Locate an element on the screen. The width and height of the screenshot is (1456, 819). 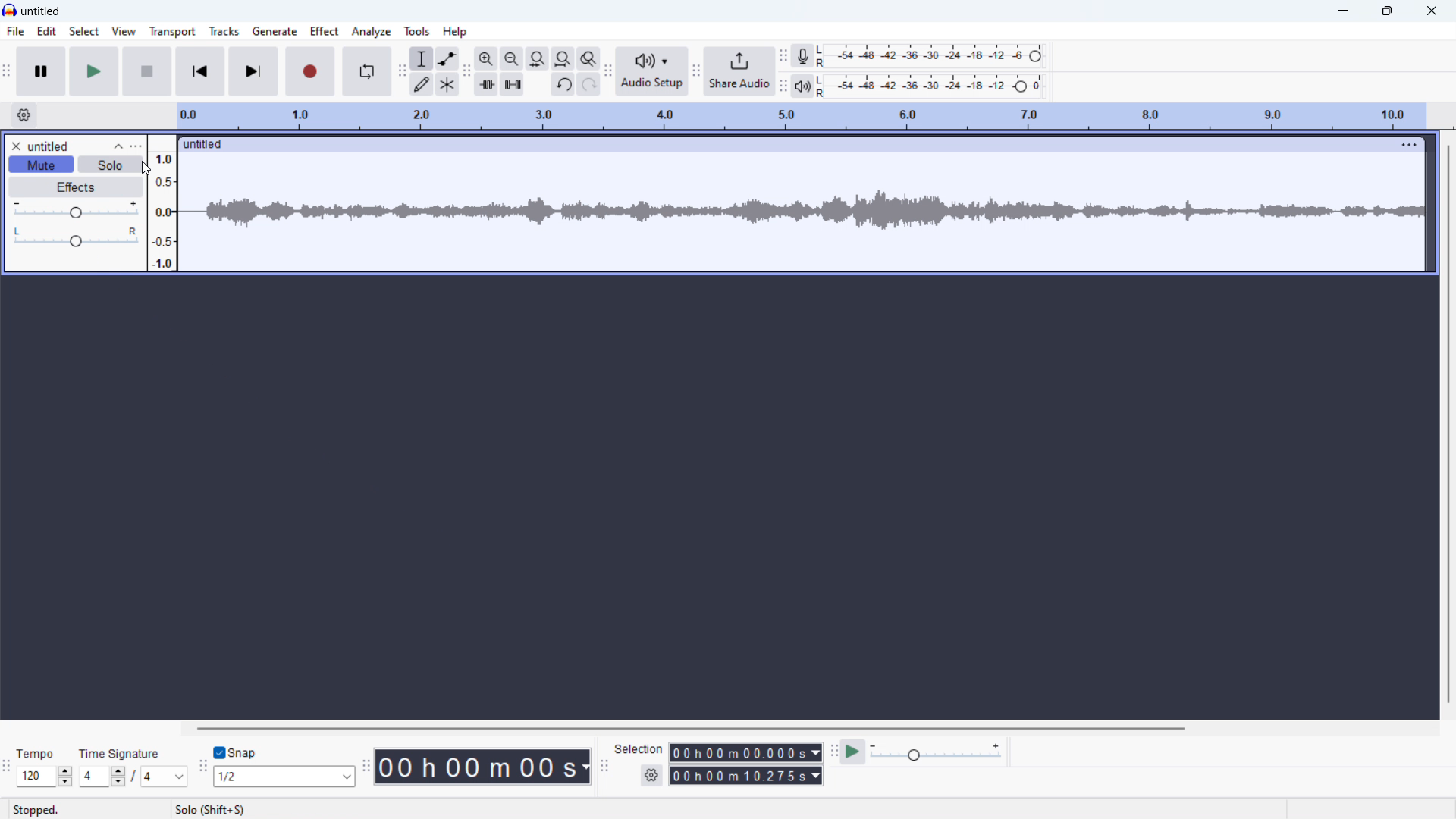
undo is located at coordinates (563, 84).